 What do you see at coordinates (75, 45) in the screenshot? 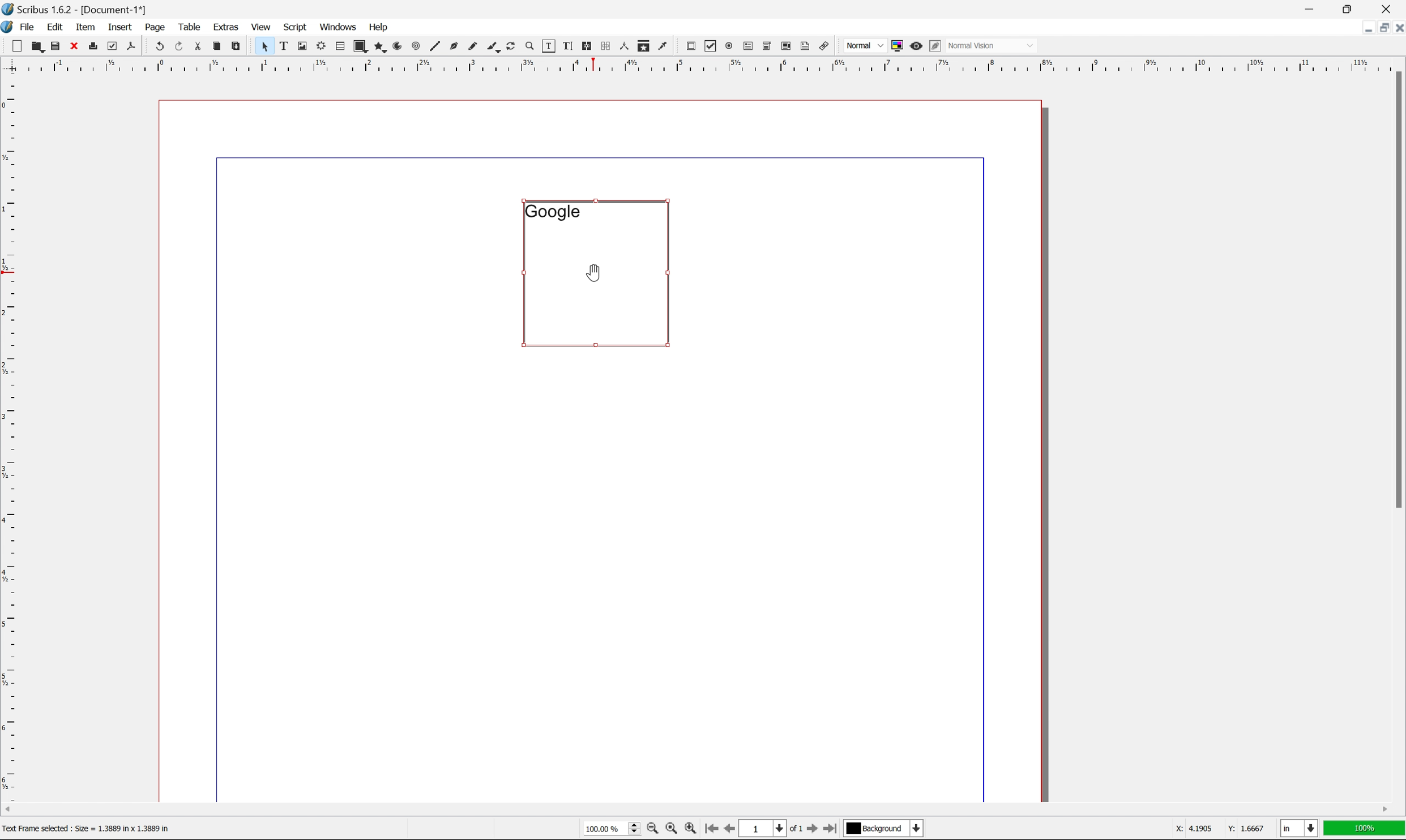
I see `close` at bounding box center [75, 45].